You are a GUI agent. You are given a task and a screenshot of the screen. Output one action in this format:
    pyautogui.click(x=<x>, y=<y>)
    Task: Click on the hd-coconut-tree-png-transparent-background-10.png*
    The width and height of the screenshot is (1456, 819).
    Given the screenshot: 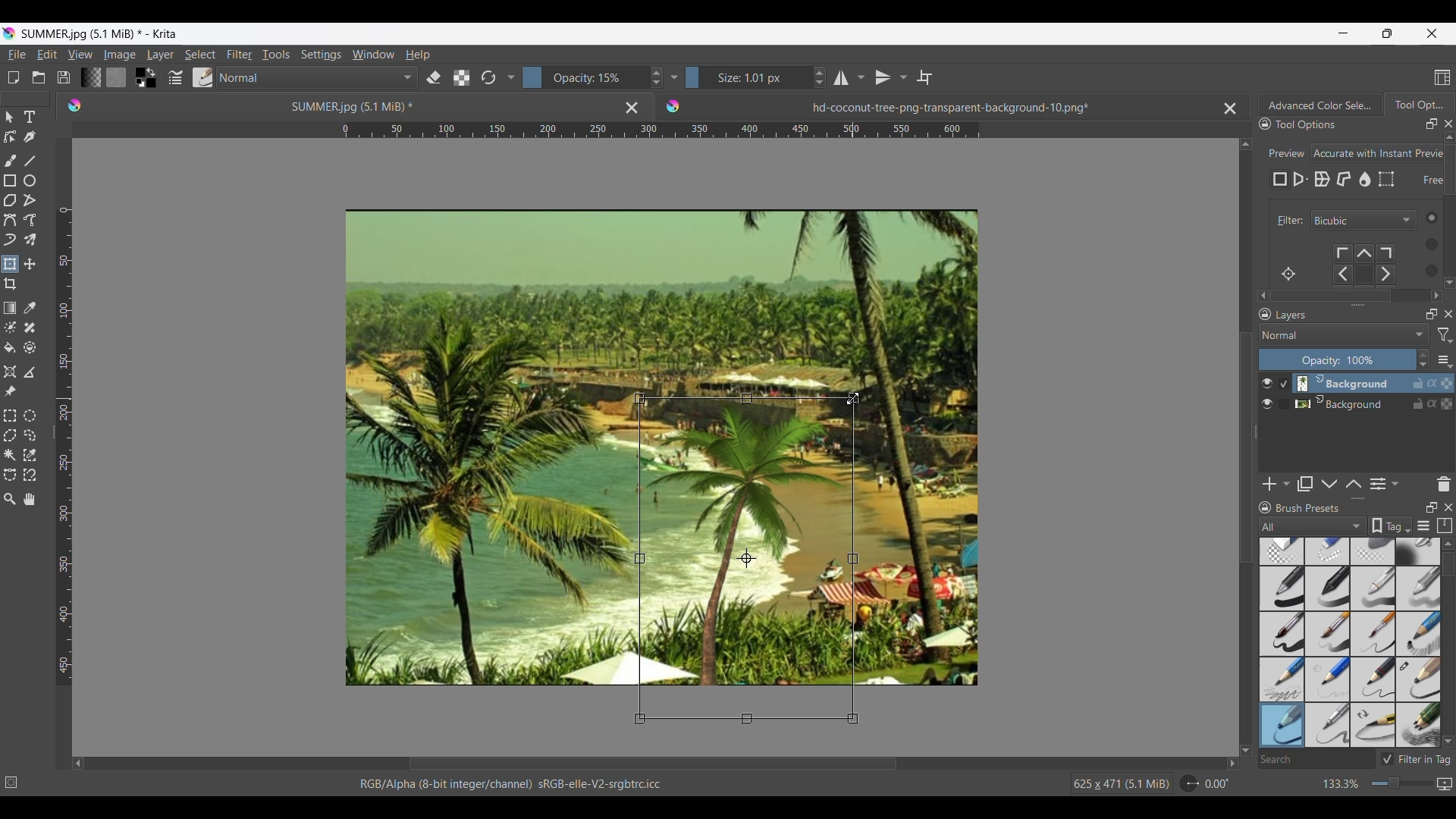 What is the action you would take?
    pyautogui.click(x=915, y=103)
    